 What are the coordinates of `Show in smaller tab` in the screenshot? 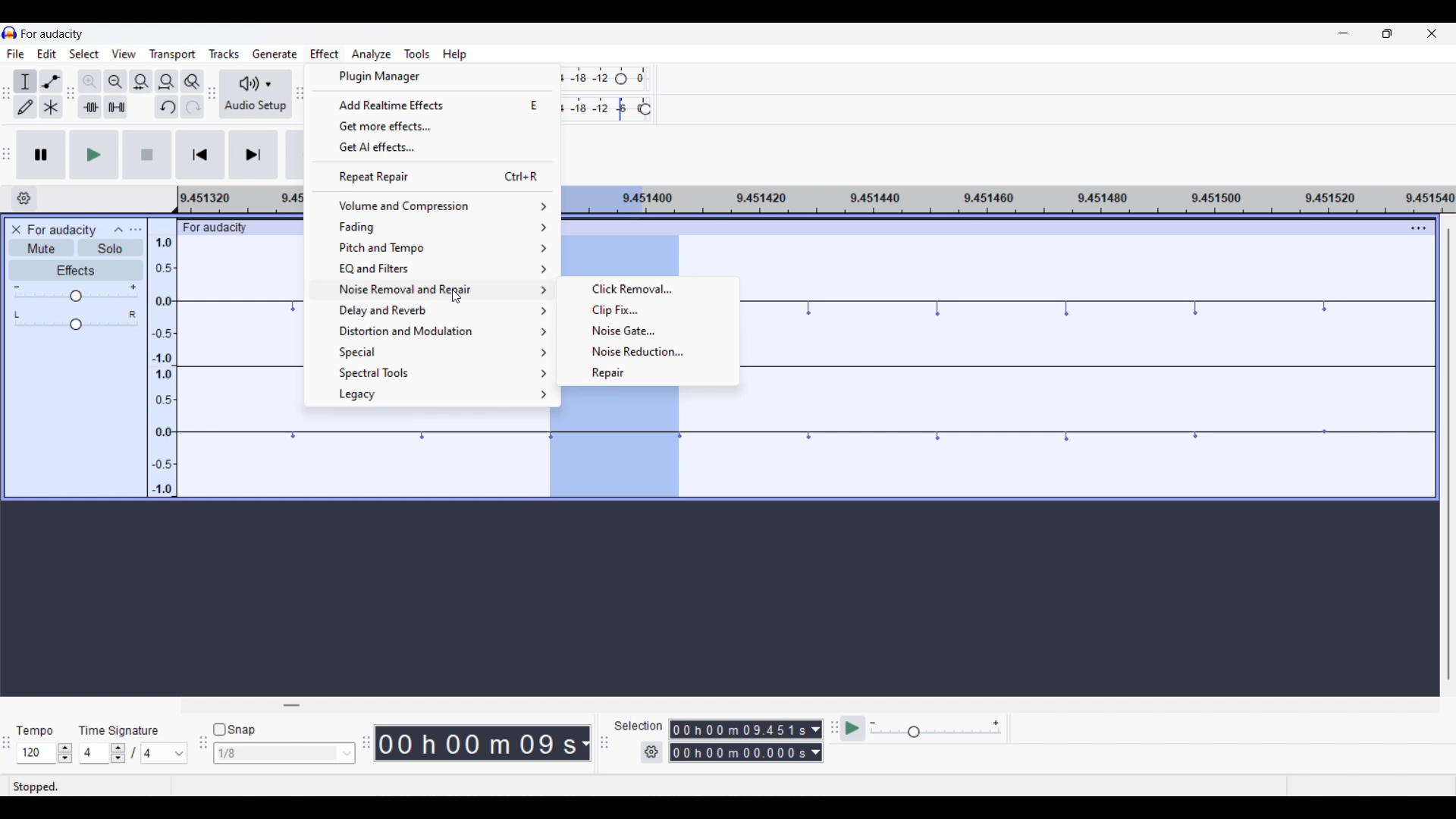 It's located at (1387, 33).